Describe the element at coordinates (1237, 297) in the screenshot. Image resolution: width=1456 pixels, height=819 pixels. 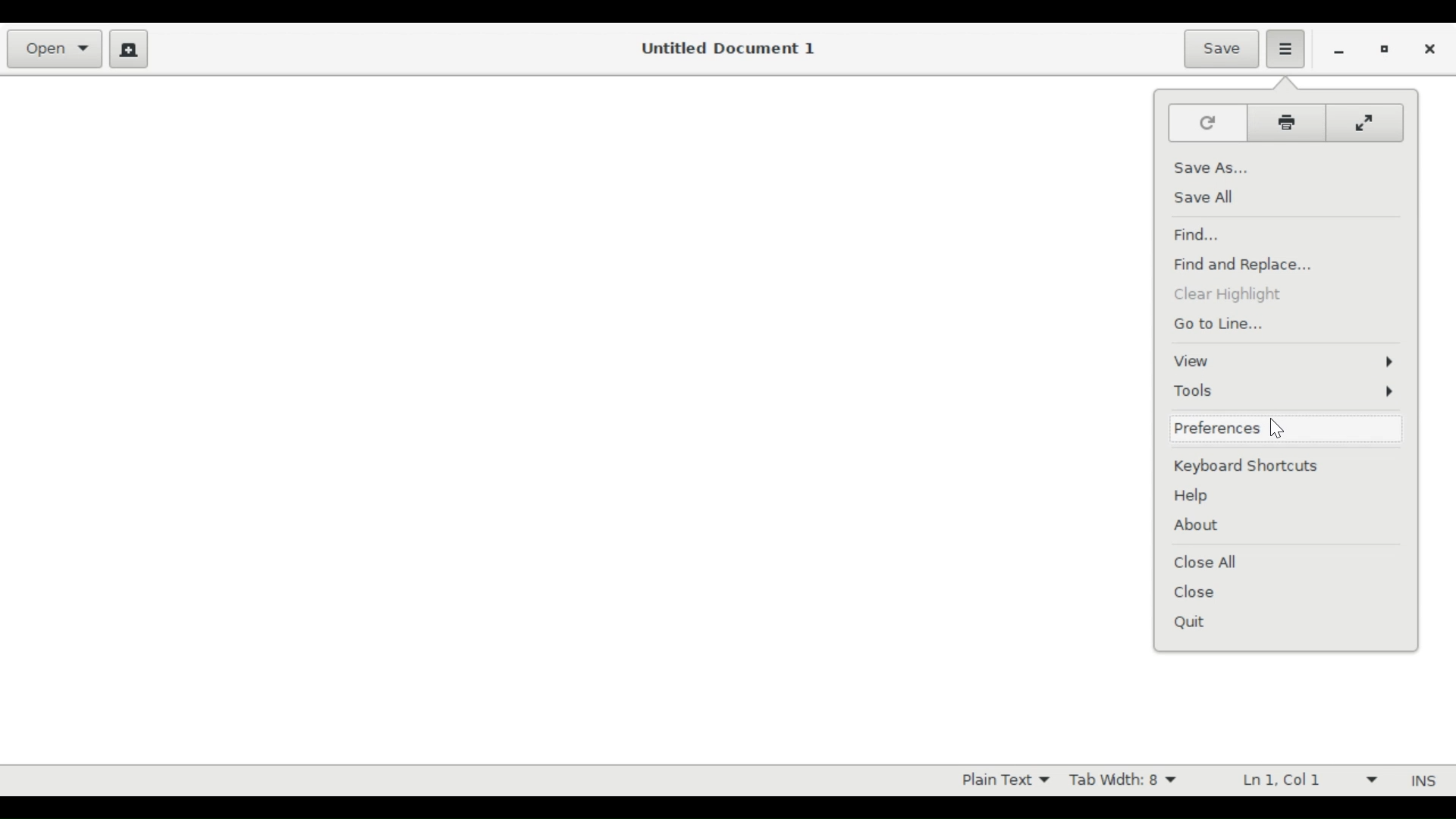
I see `Clear Hih` at that location.